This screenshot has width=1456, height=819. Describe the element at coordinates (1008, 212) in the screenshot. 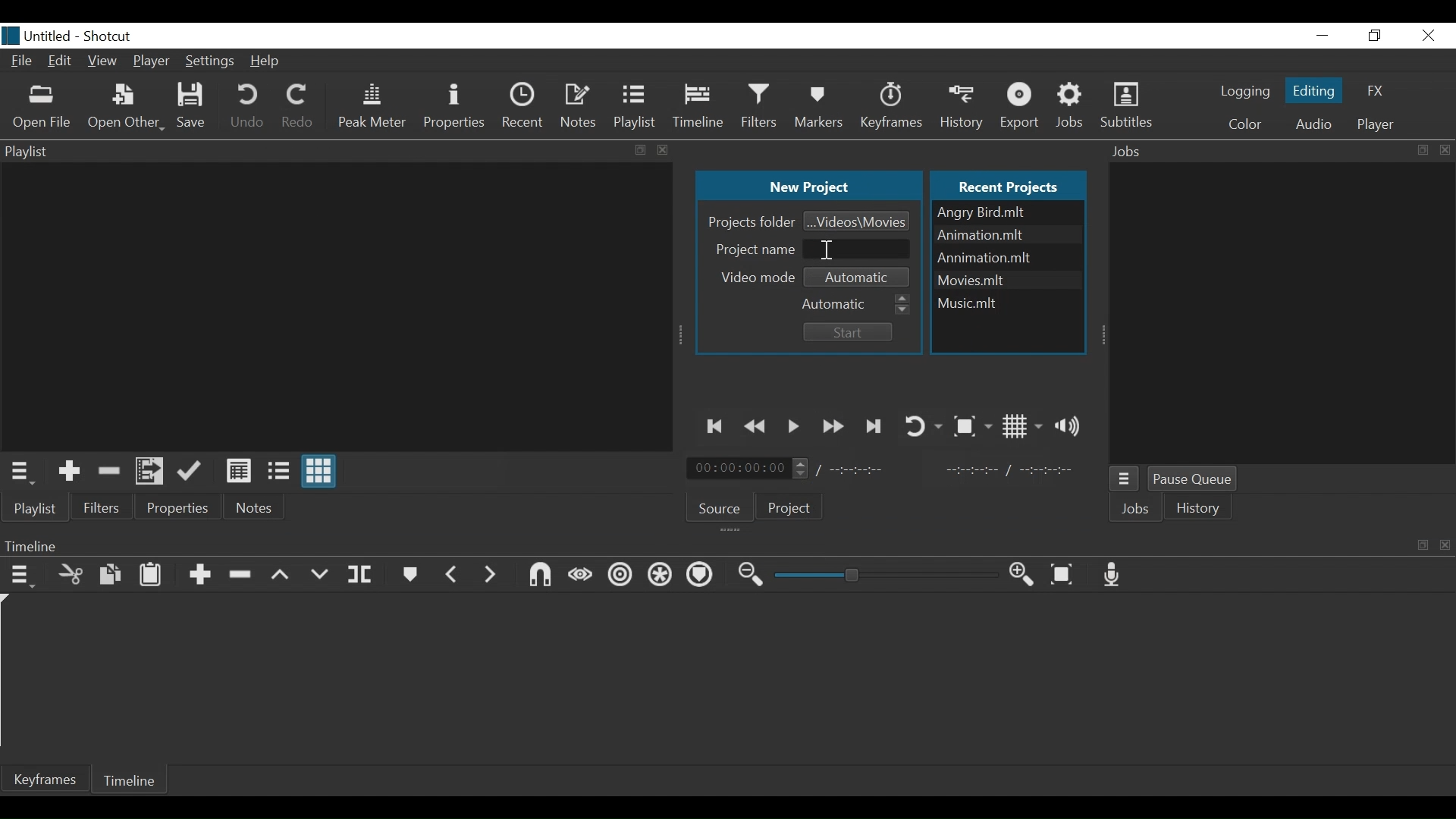

I see `File name` at that location.